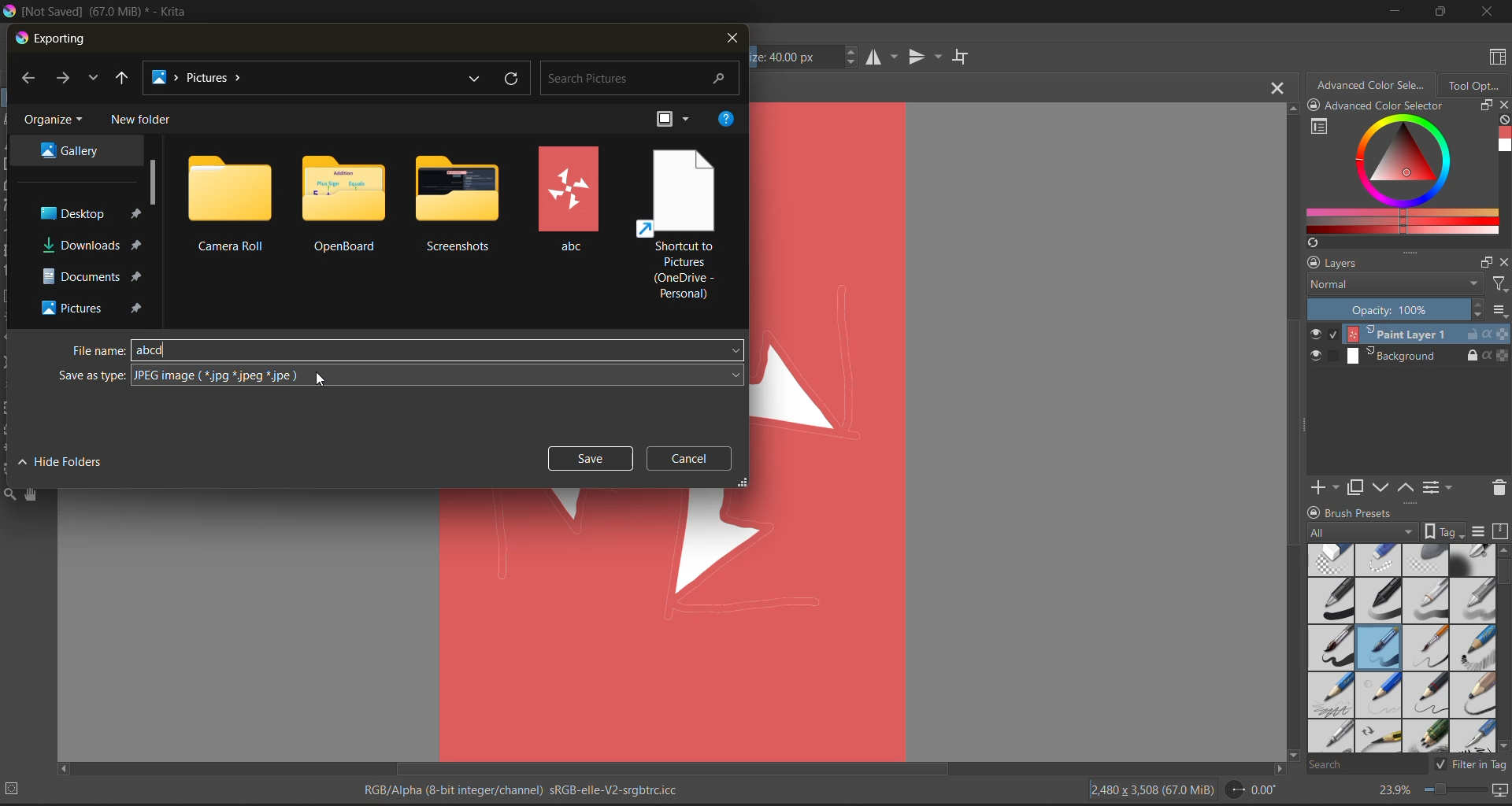 This screenshot has width=1512, height=806. Describe the element at coordinates (1363, 490) in the screenshot. I see `duplicate layer ` at that location.